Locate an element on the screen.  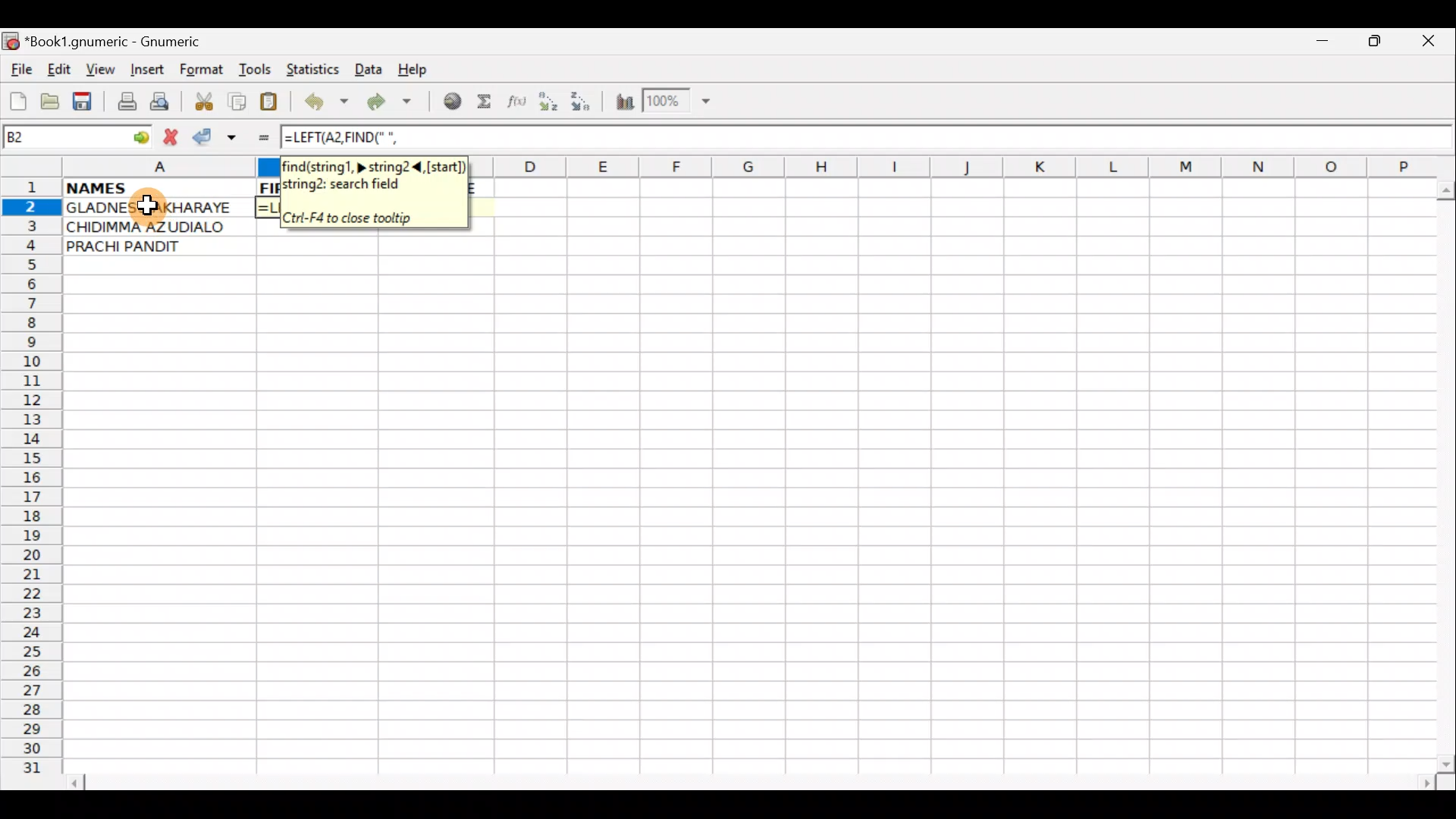
Scroll bar is located at coordinates (1442, 473).